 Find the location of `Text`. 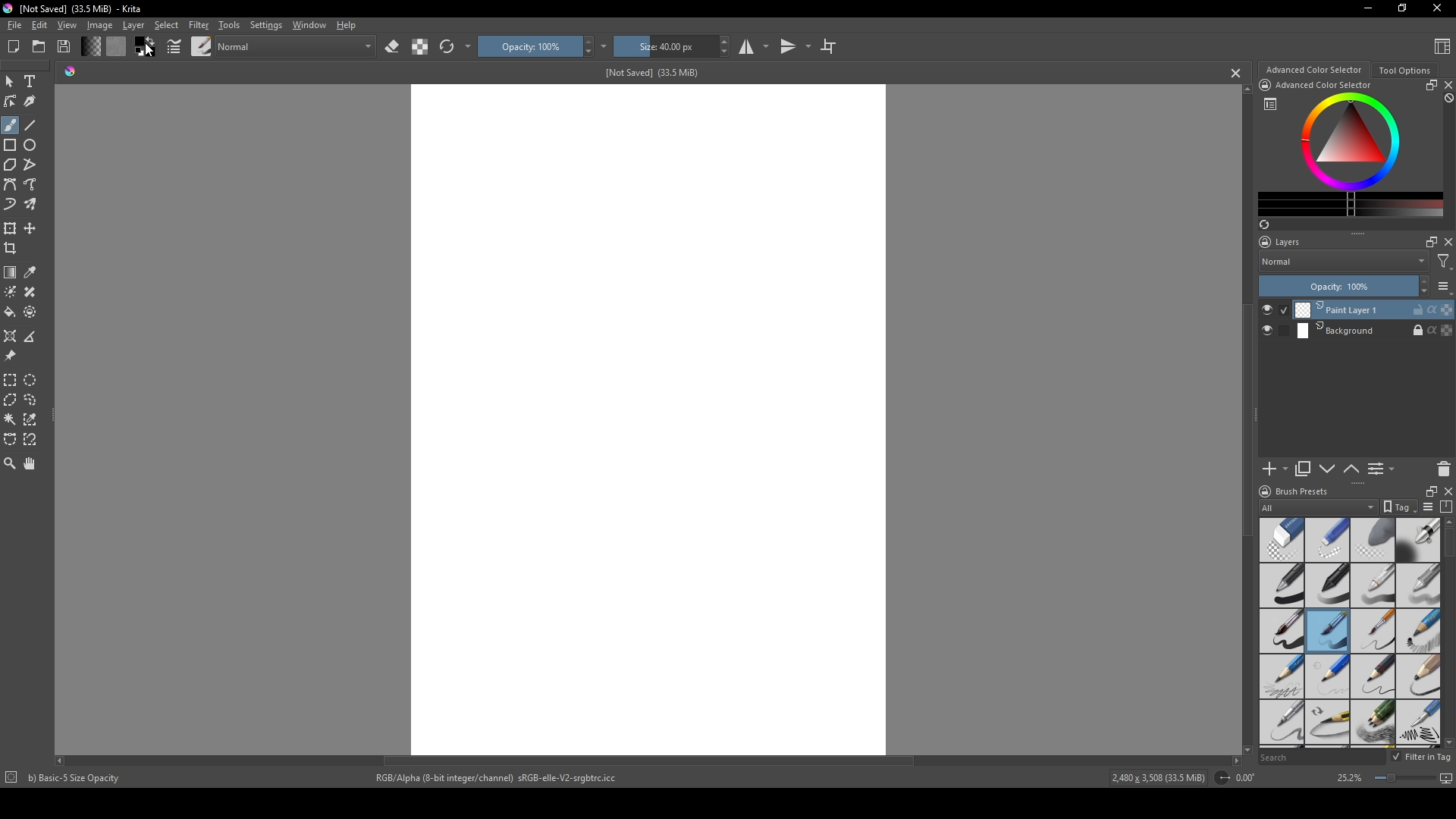

Text is located at coordinates (33, 83).